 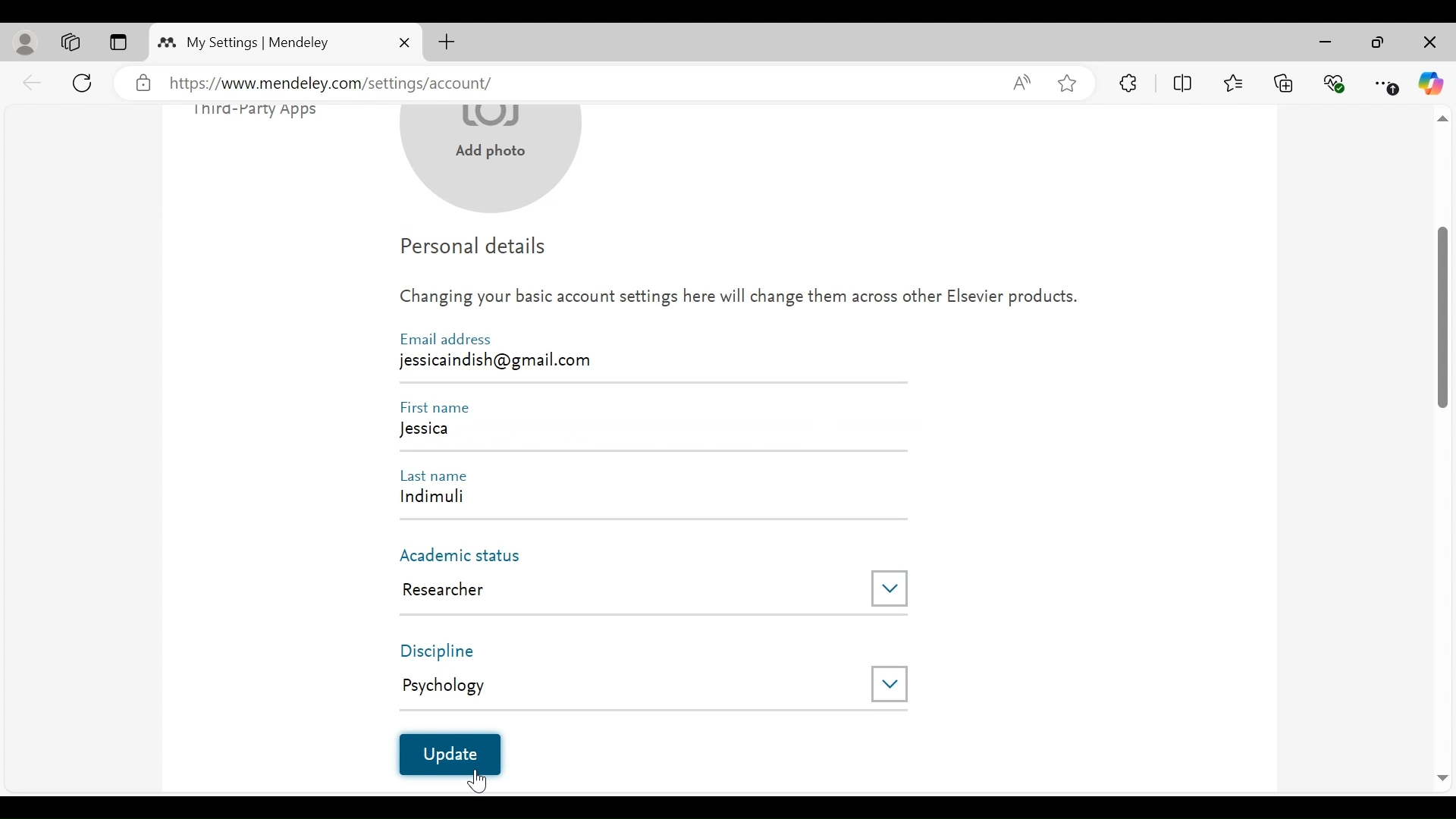 What do you see at coordinates (440, 407) in the screenshot?
I see `First Name` at bounding box center [440, 407].